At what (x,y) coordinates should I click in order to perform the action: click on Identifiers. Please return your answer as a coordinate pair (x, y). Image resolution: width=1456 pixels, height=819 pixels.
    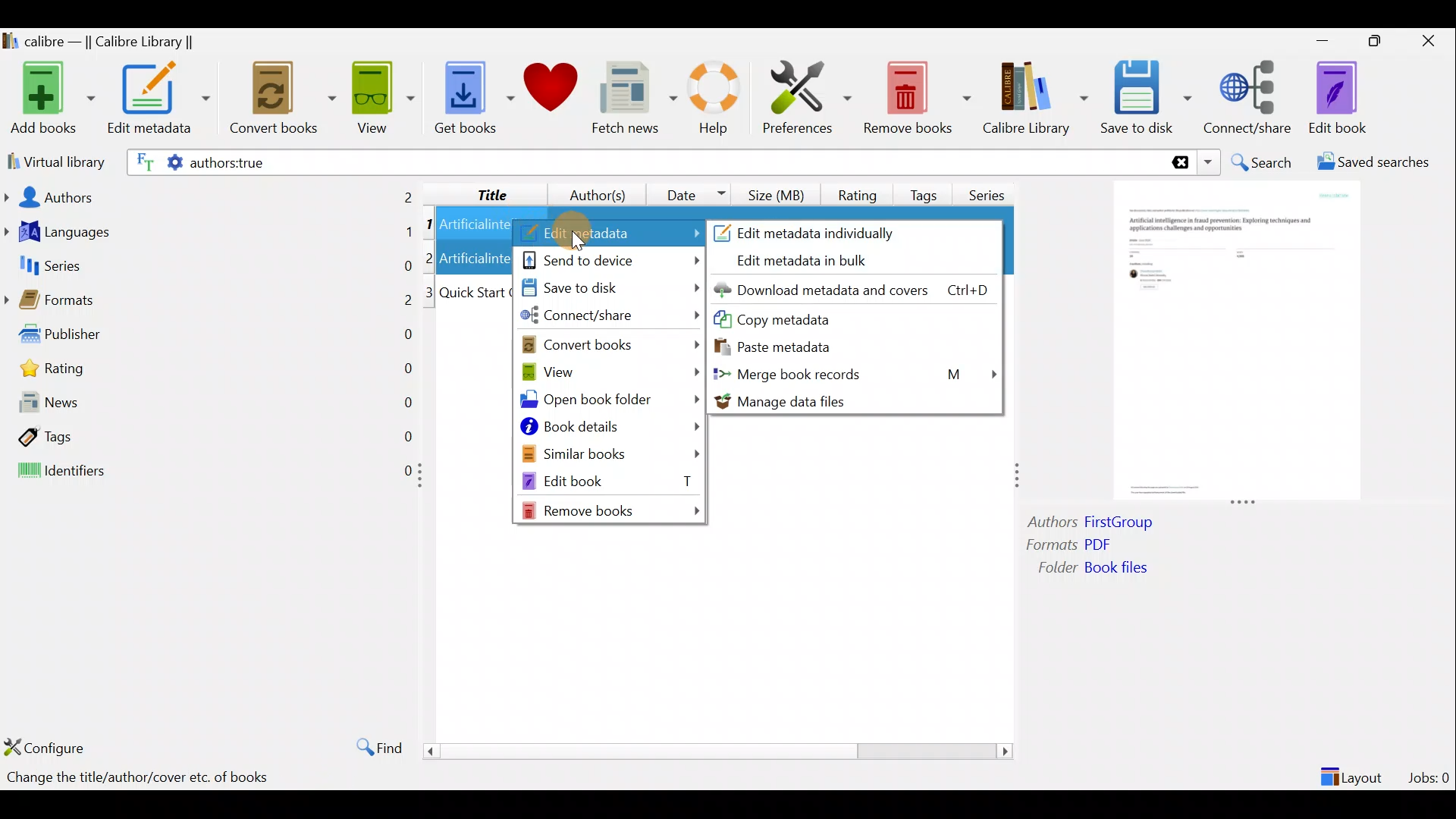
    Looking at the image, I should click on (206, 472).